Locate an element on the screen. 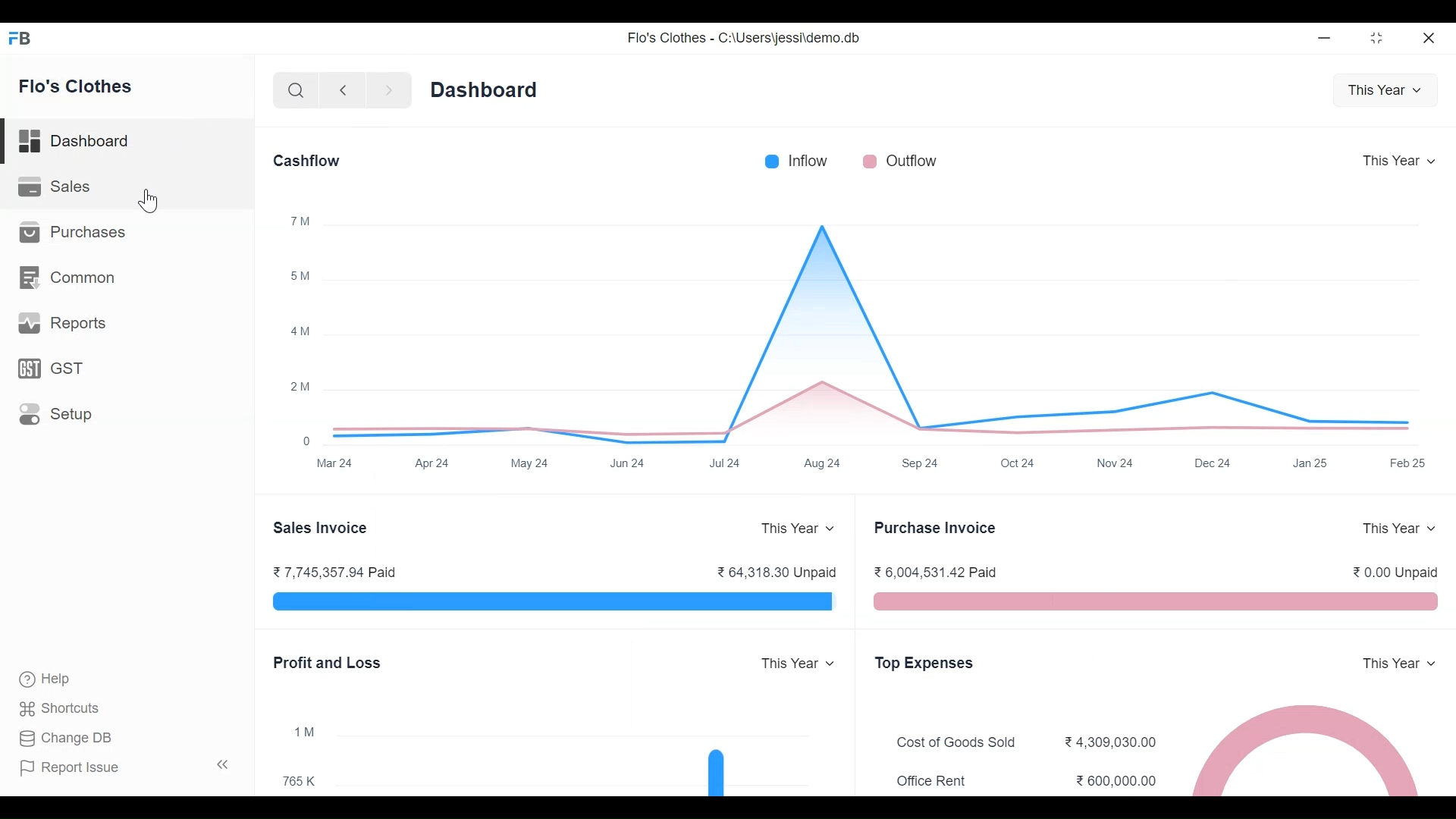  Jun 24 is located at coordinates (629, 463).